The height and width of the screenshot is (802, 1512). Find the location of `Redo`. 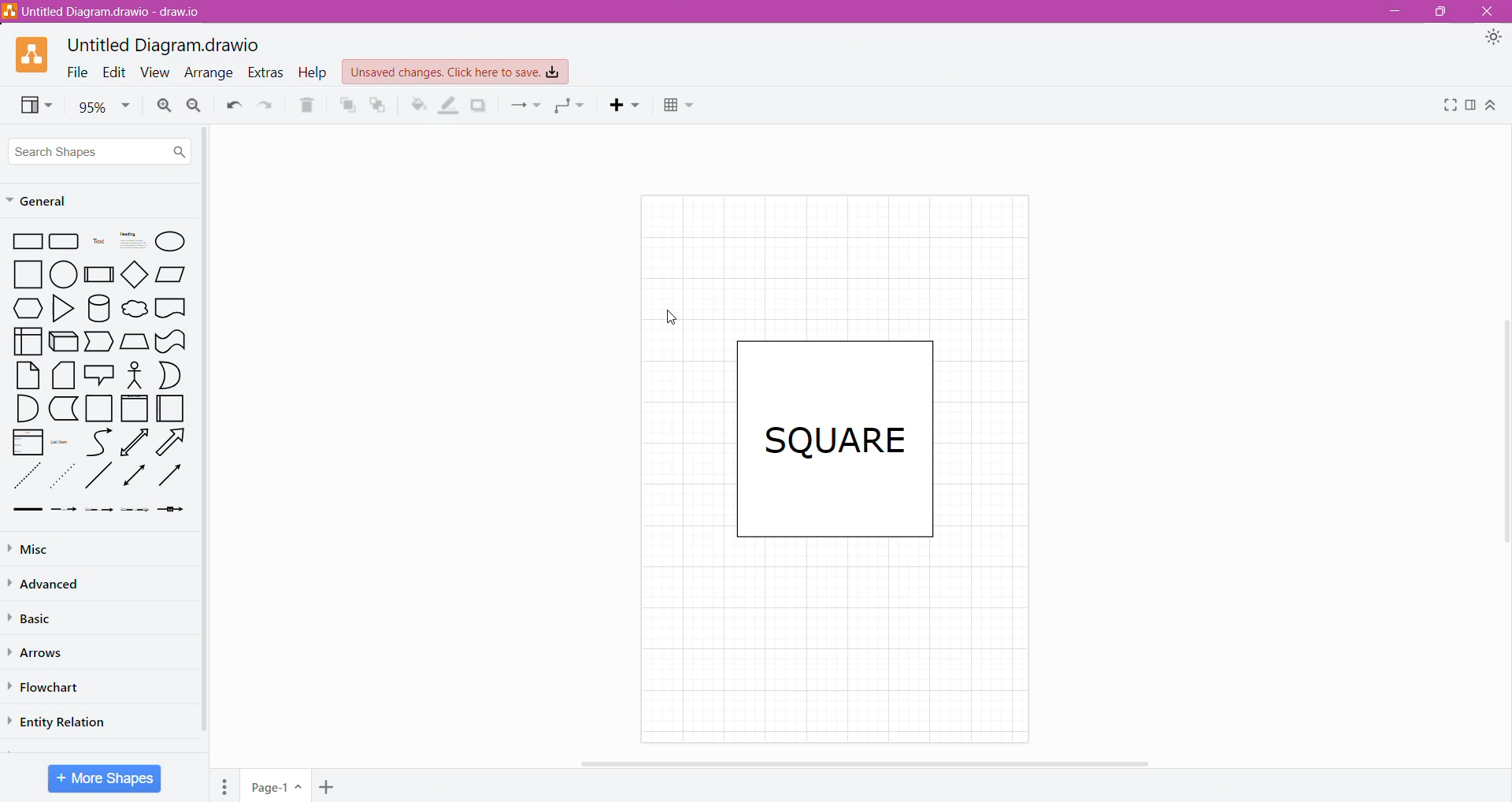

Redo is located at coordinates (266, 106).